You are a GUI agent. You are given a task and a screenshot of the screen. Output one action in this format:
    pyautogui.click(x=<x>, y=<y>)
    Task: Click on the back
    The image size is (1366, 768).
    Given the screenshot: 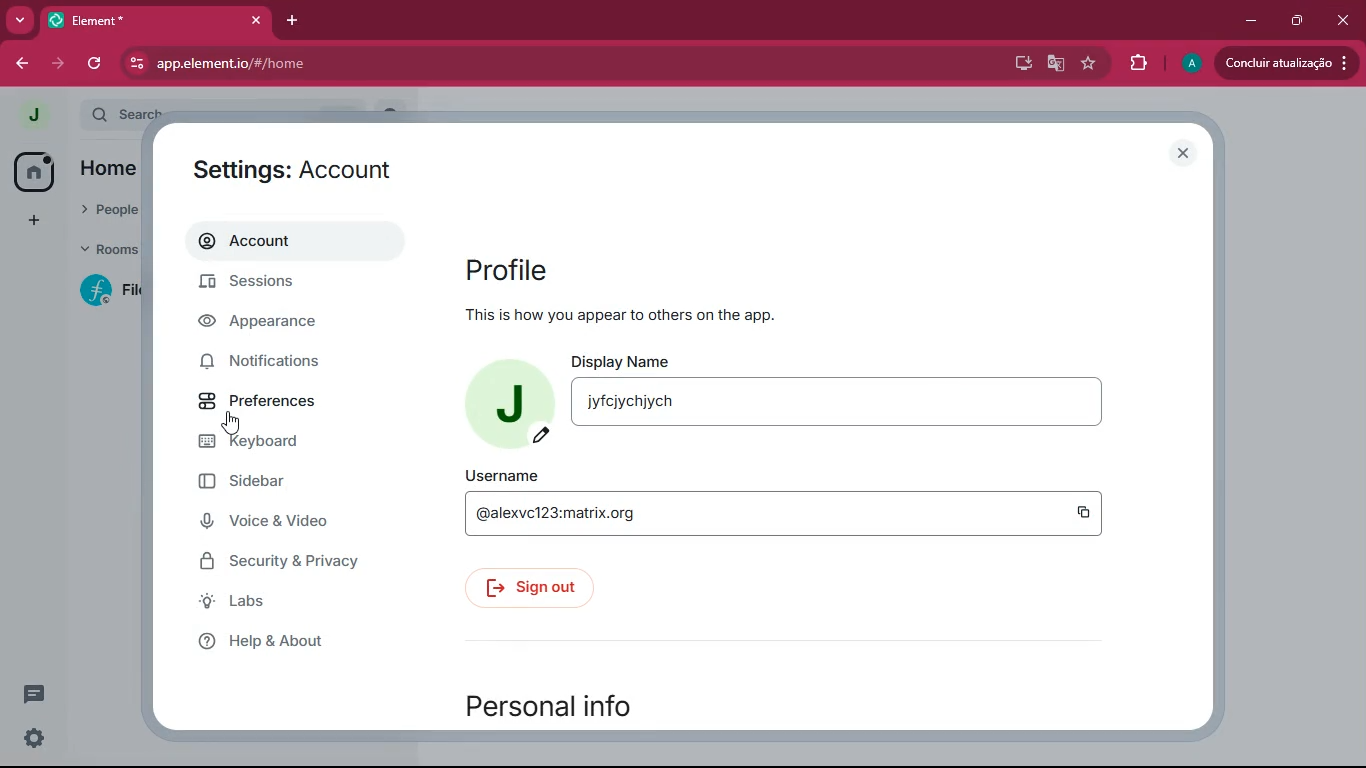 What is the action you would take?
    pyautogui.click(x=22, y=63)
    